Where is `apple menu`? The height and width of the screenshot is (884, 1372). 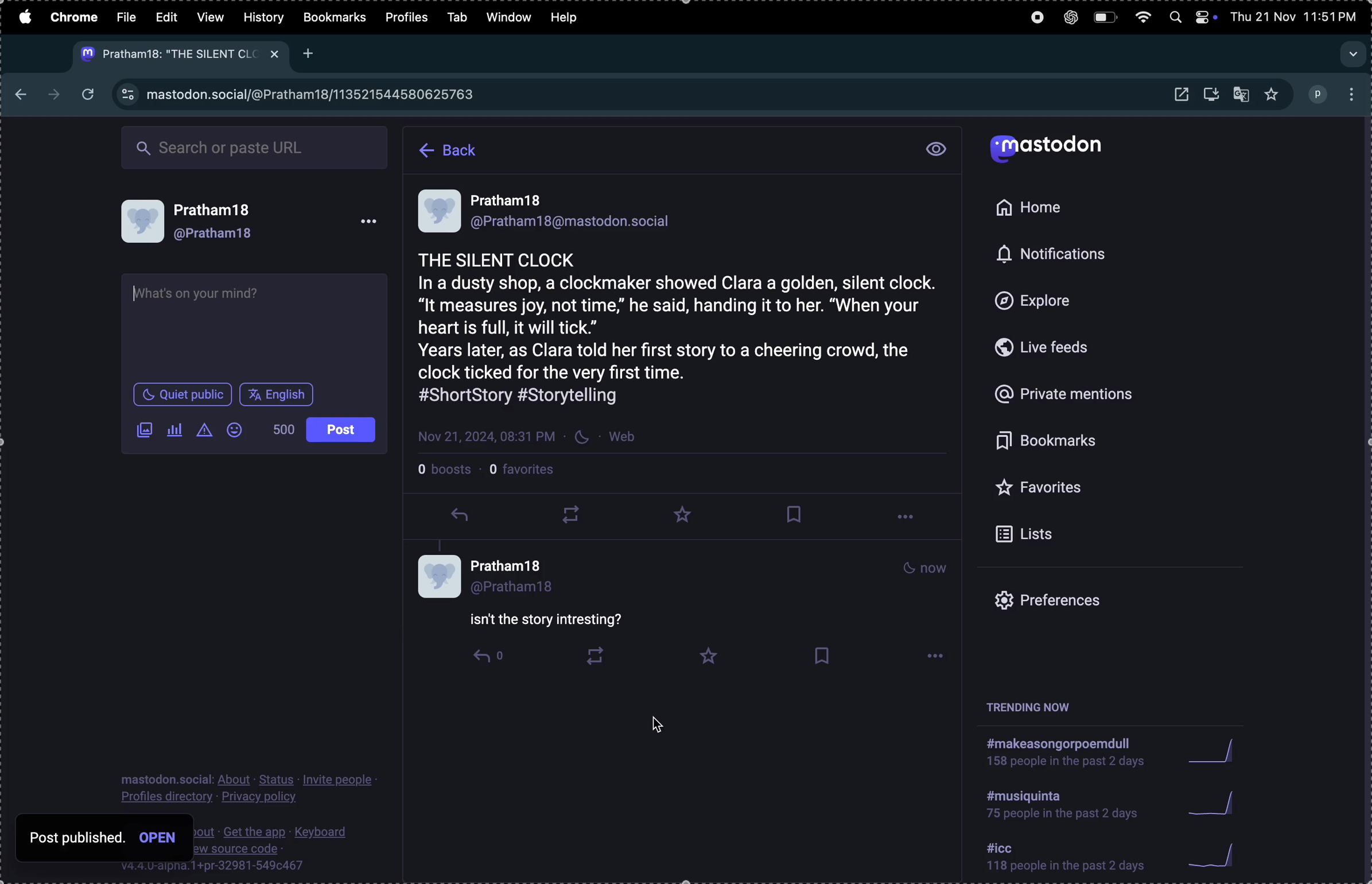
apple menu is located at coordinates (24, 17).